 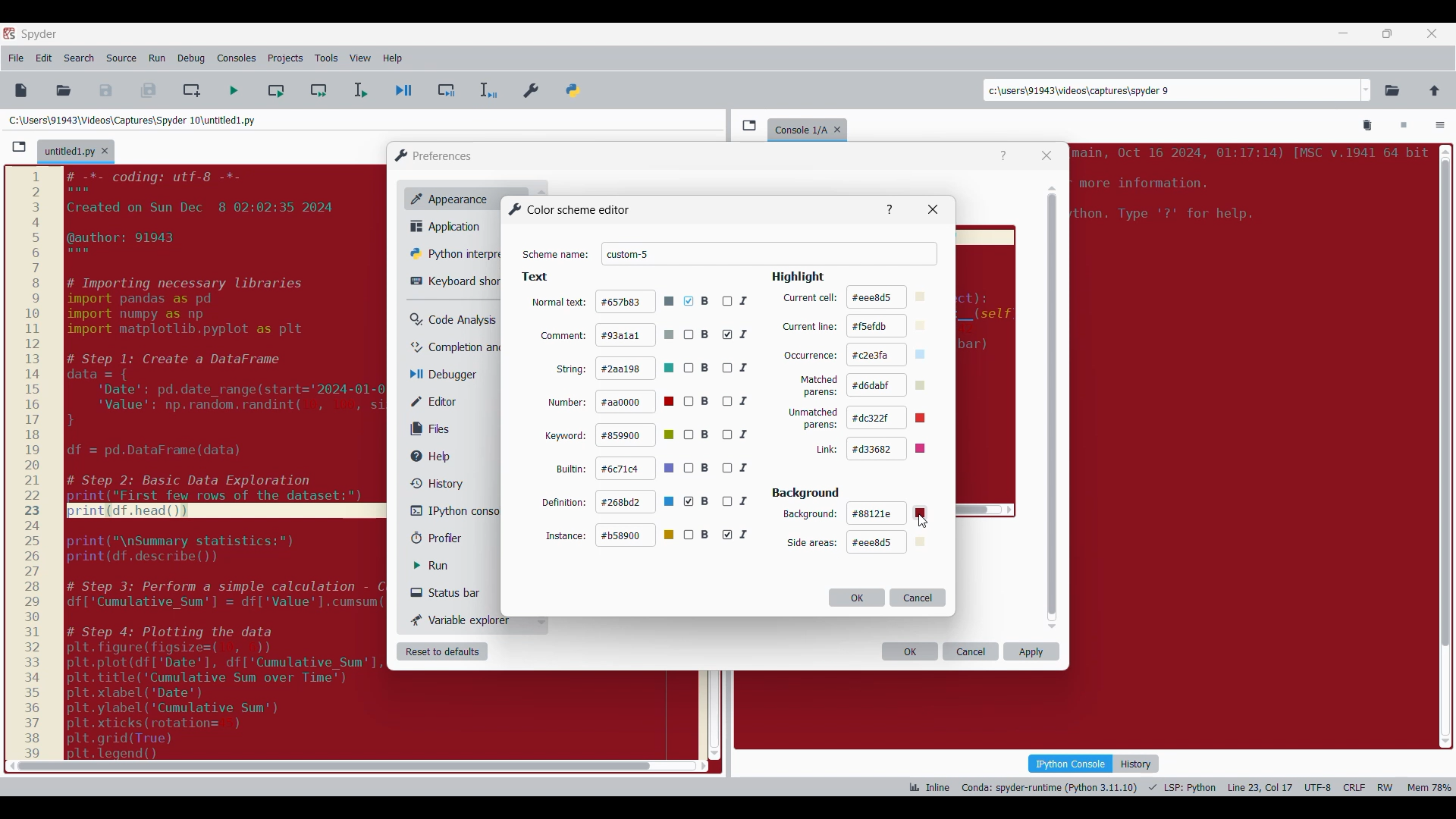 I want to click on Minimize, so click(x=1344, y=33).